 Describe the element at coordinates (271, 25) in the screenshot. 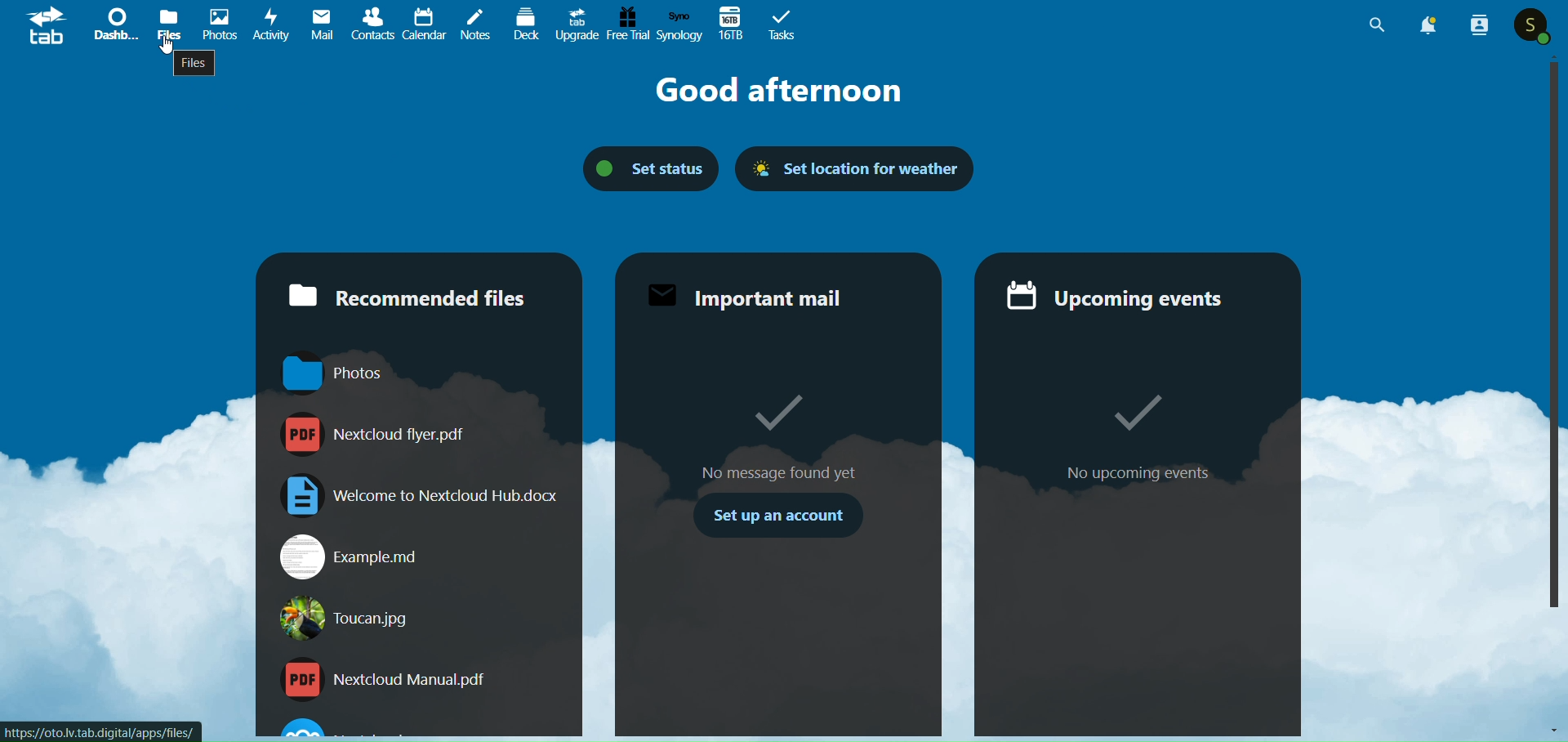

I see `activity` at that location.